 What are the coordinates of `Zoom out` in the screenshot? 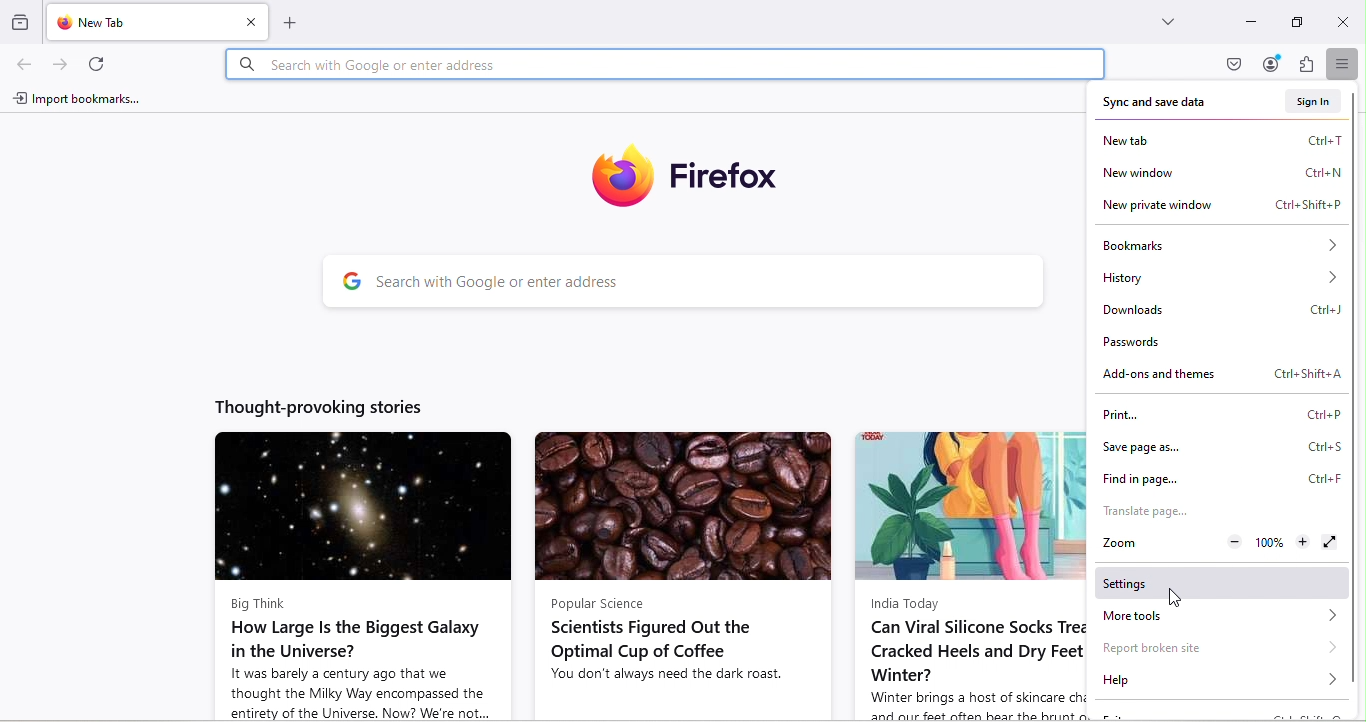 It's located at (1231, 545).